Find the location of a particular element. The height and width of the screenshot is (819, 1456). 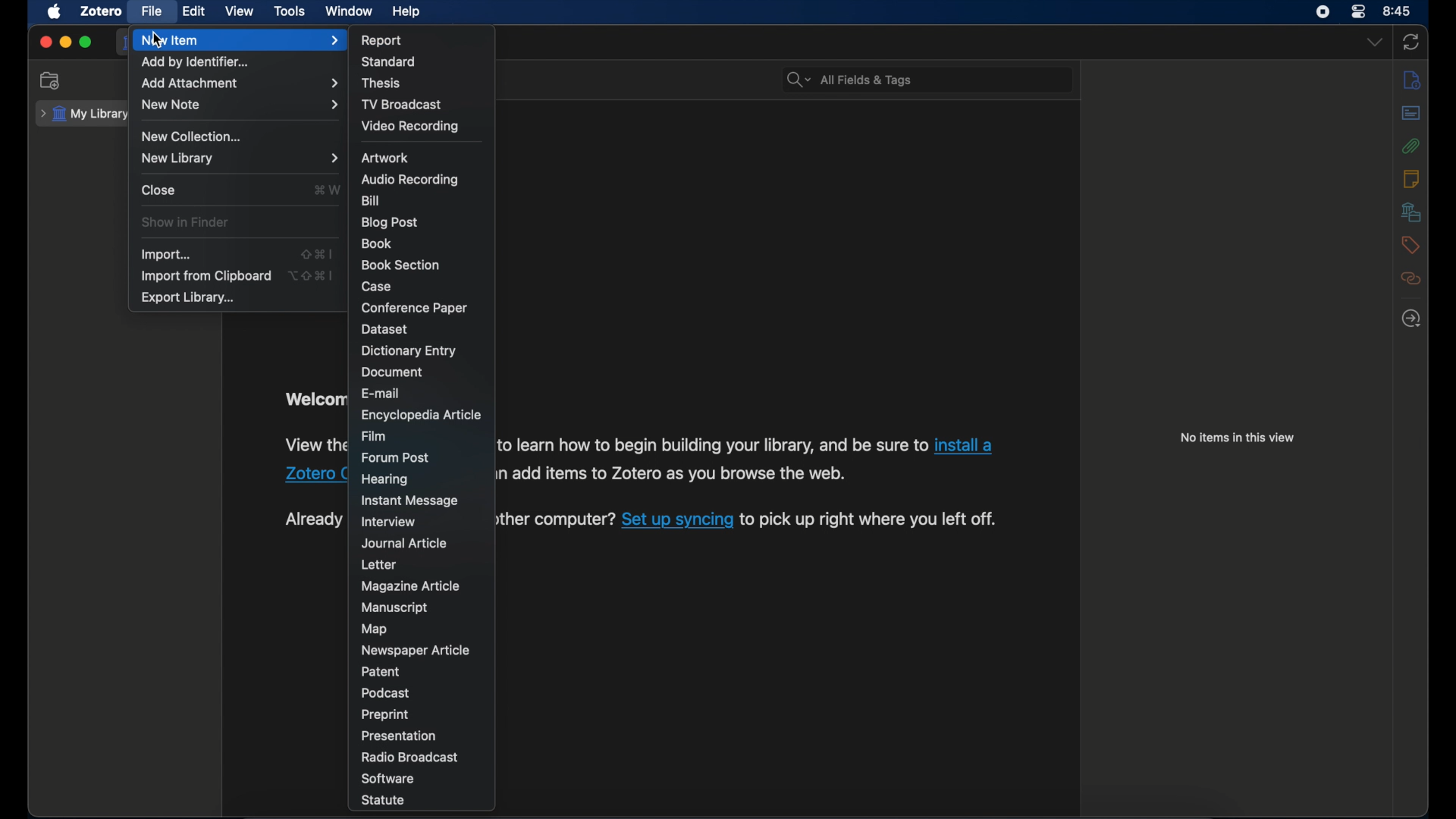

bill is located at coordinates (370, 199).